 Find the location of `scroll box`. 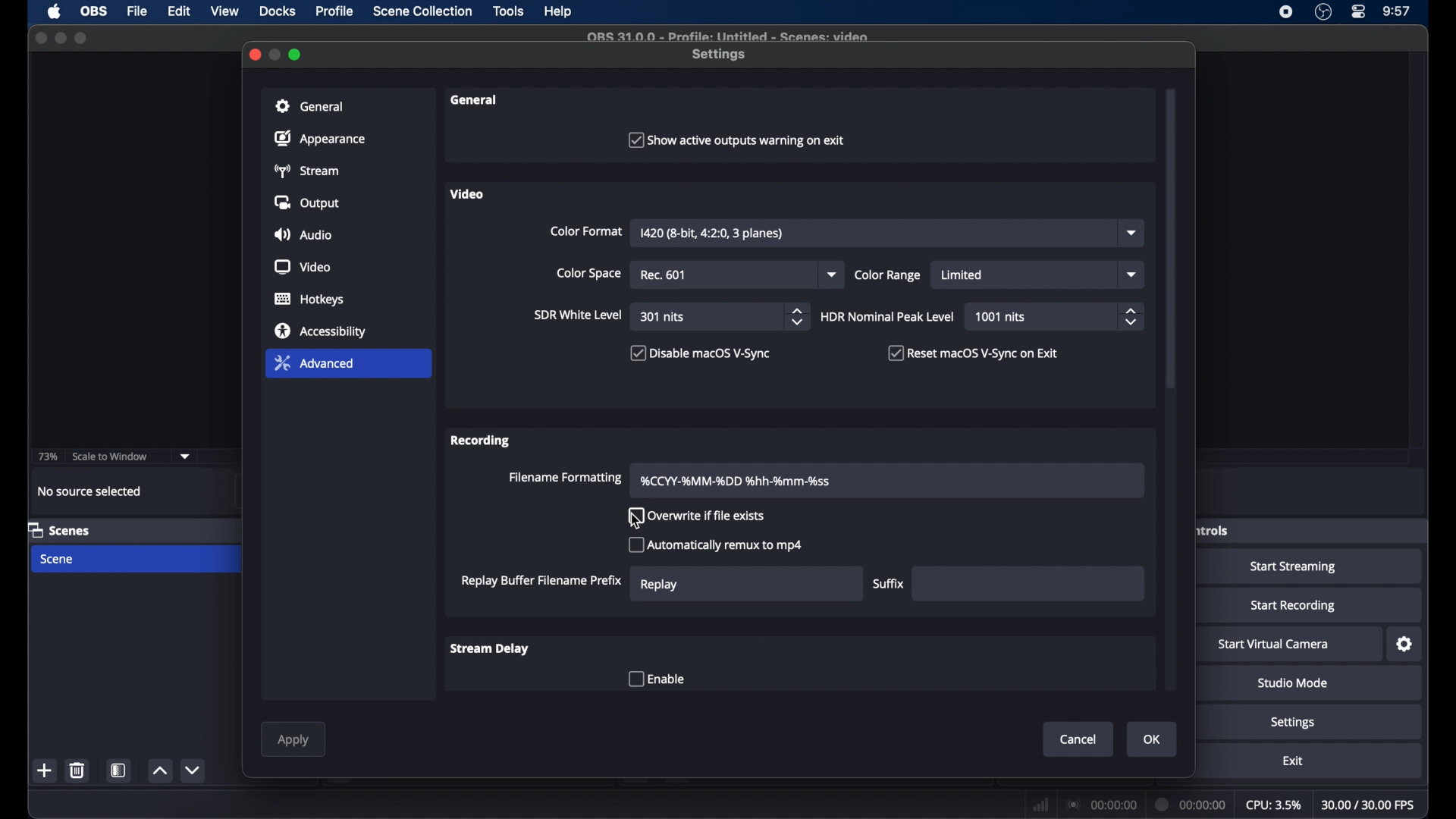

scroll box is located at coordinates (1171, 240).